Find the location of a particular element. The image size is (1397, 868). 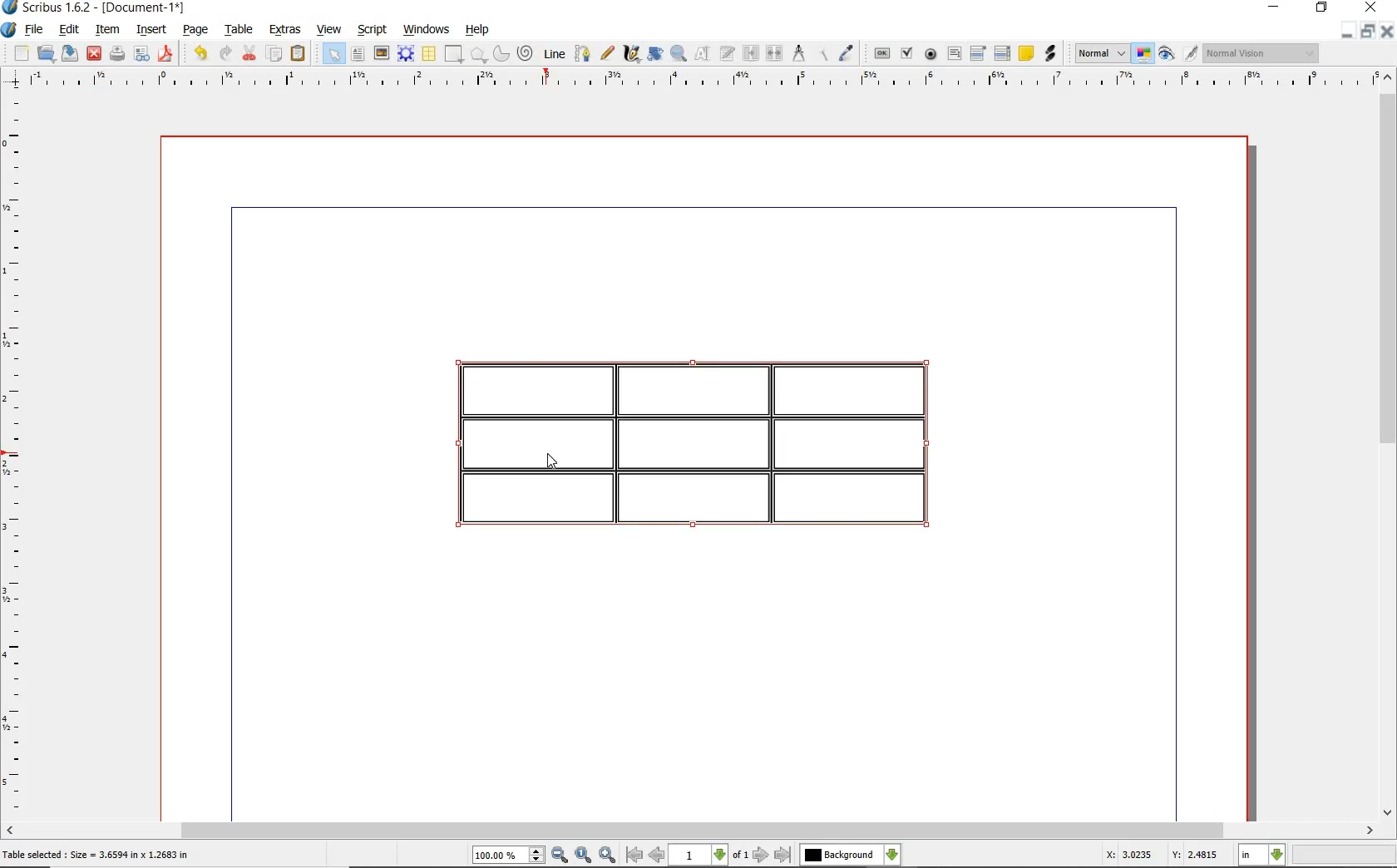

link annotation is located at coordinates (1051, 54).